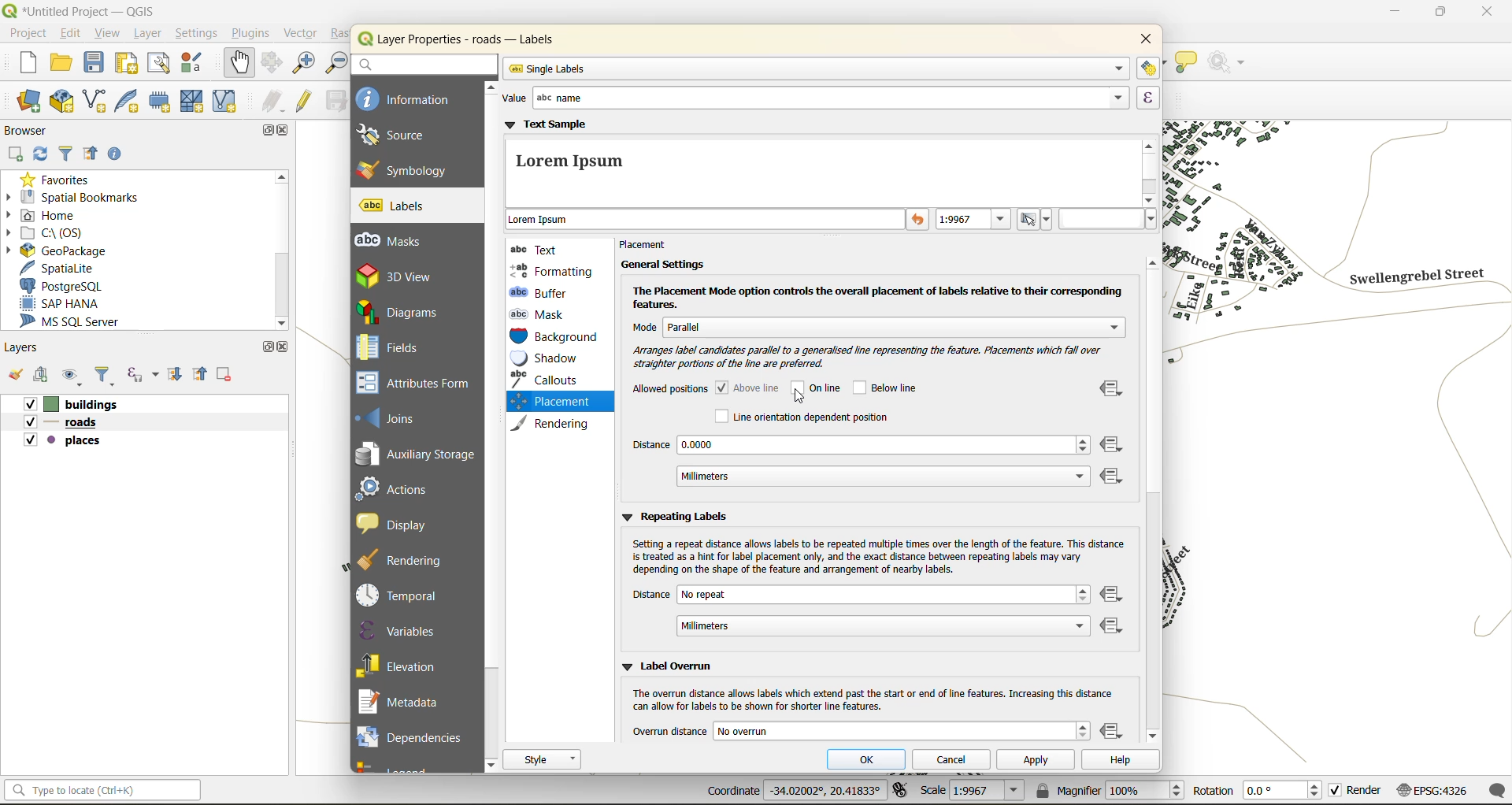 This screenshot has height=805, width=1512. Describe the element at coordinates (1254, 789) in the screenshot. I see `rotation` at that location.